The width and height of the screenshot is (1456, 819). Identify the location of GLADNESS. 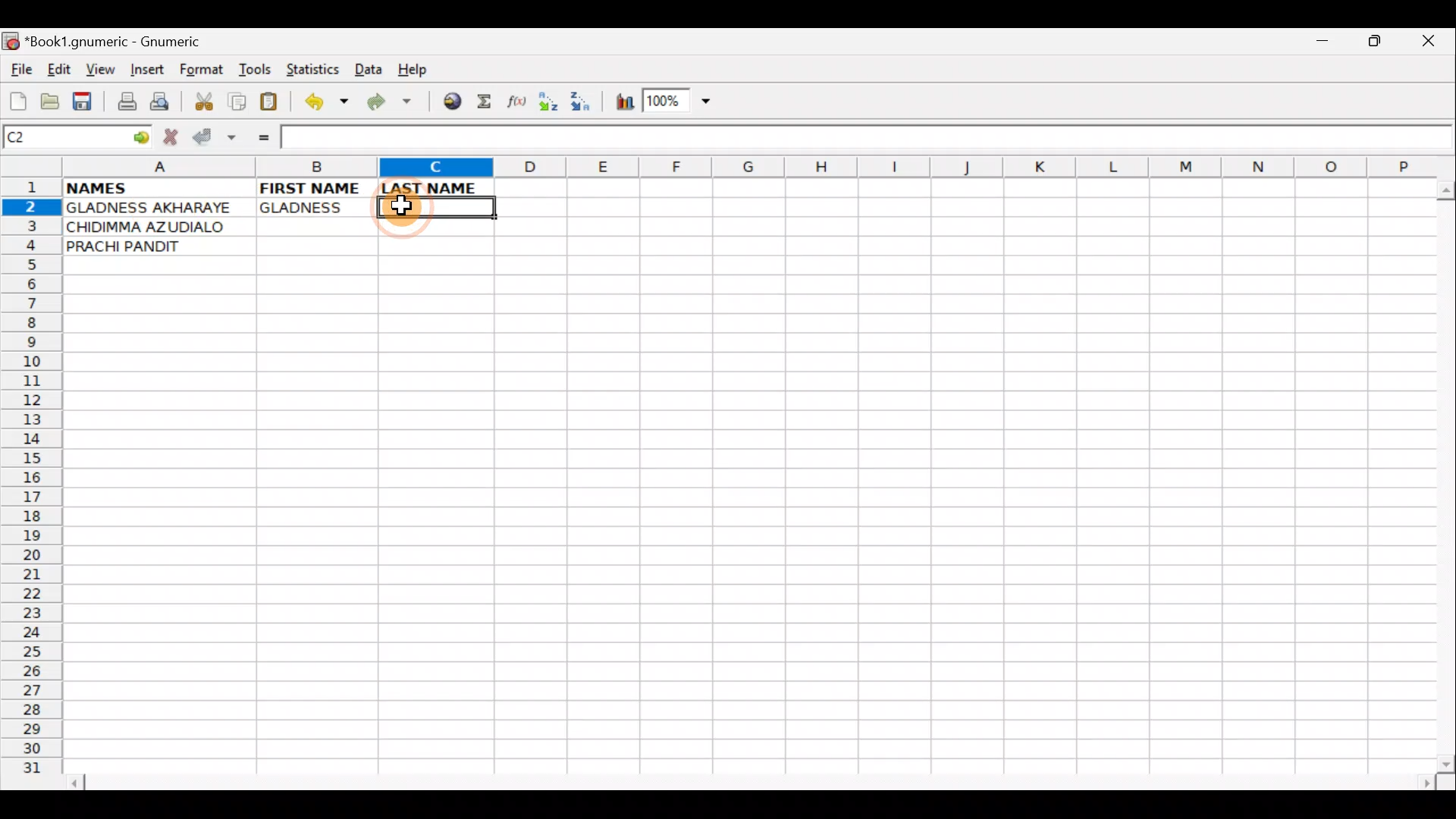
(310, 205).